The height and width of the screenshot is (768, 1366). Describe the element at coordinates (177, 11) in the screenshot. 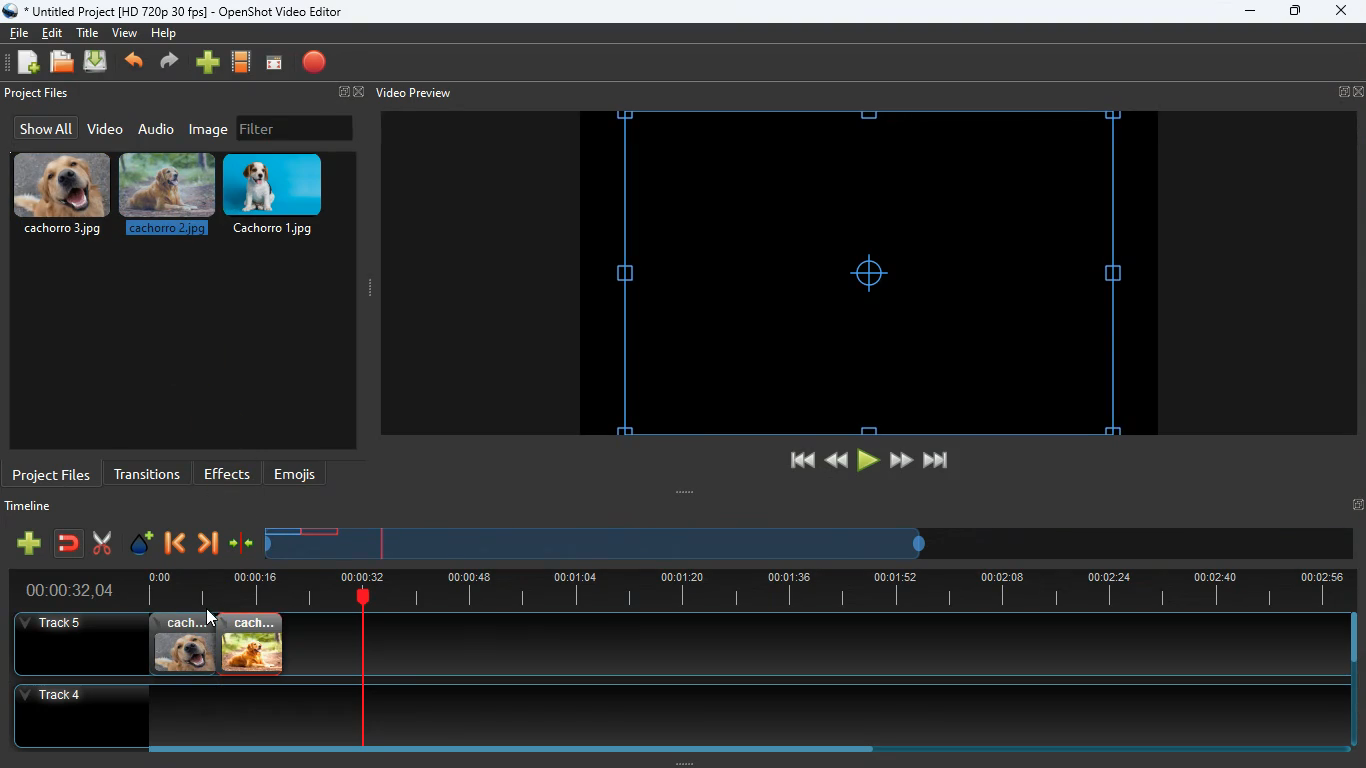

I see `* Untitled Project [HD 720p 30 fps] - OpenShot Video Editor` at that location.